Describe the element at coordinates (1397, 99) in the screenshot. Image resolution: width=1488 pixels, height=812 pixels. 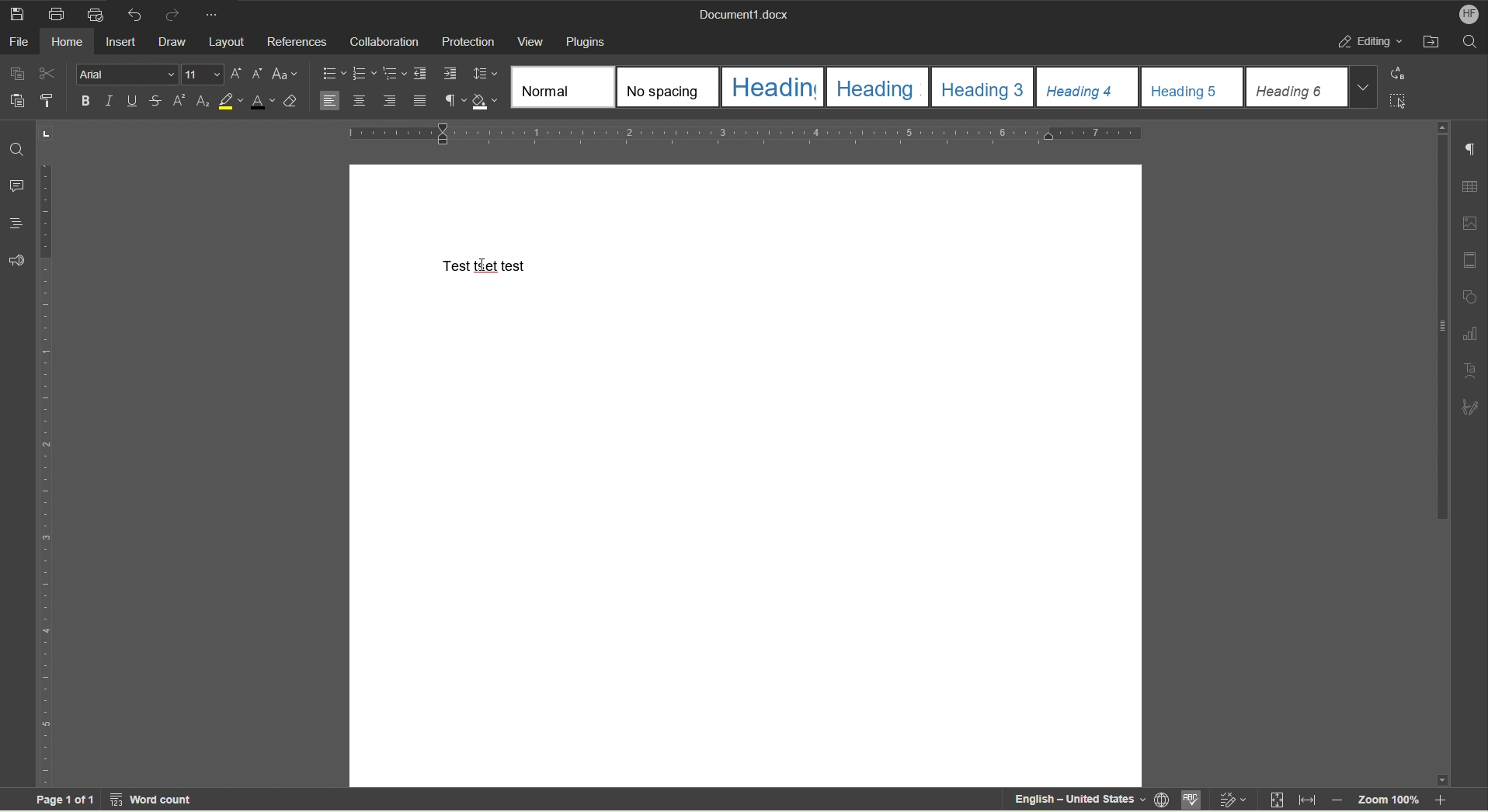
I see `Select All` at that location.